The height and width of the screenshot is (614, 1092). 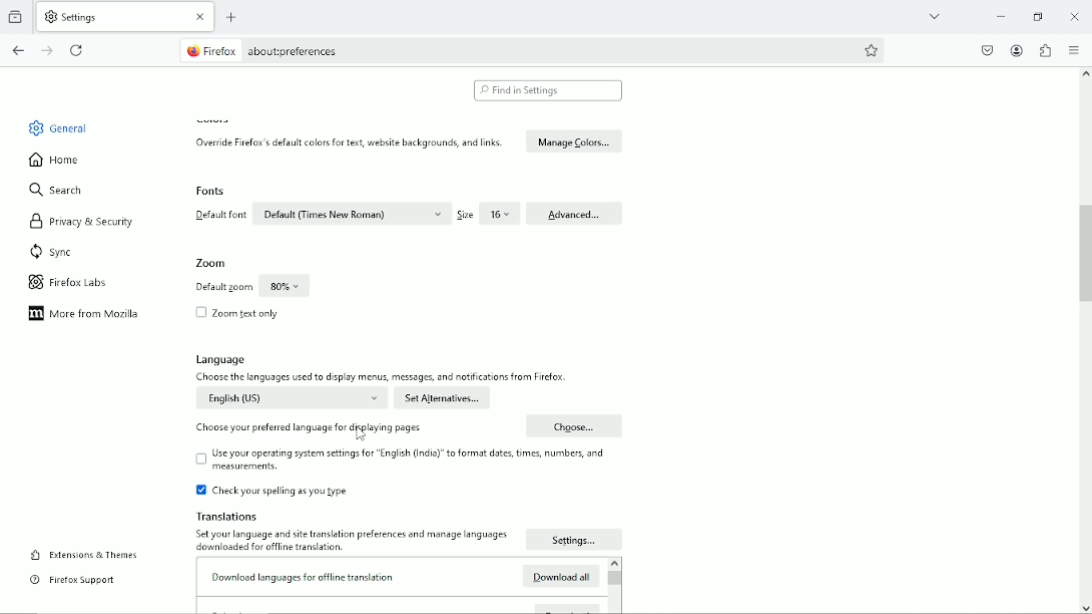 What do you see at coordinates (89, 279) in the screenshot?
I see `Firefox labs` at bounding box center [89, 279].